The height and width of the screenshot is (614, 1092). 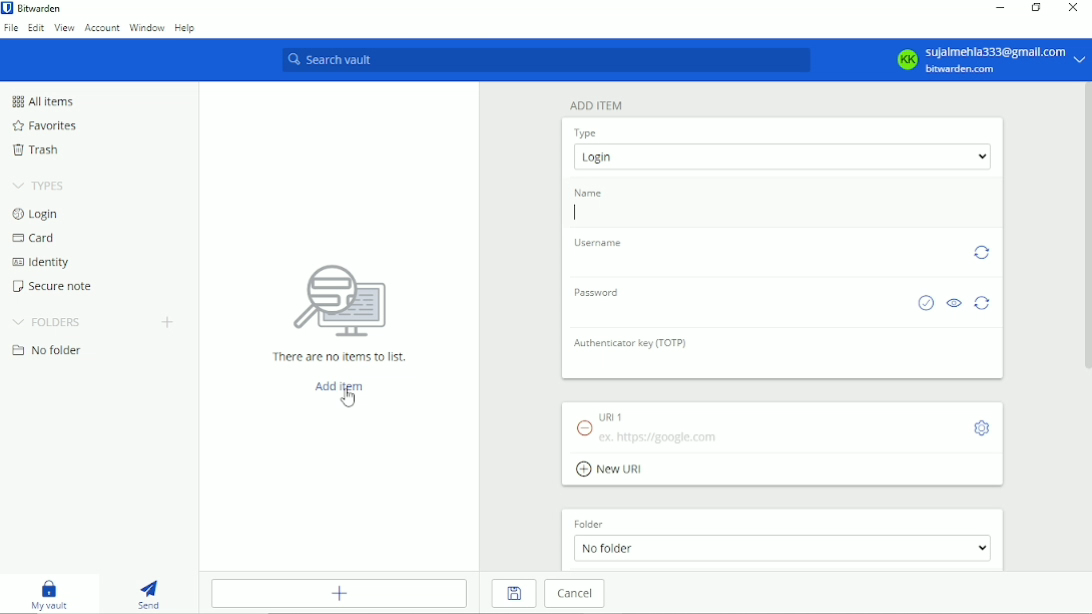 I want to click on cursor, so click(x=348, y=397).